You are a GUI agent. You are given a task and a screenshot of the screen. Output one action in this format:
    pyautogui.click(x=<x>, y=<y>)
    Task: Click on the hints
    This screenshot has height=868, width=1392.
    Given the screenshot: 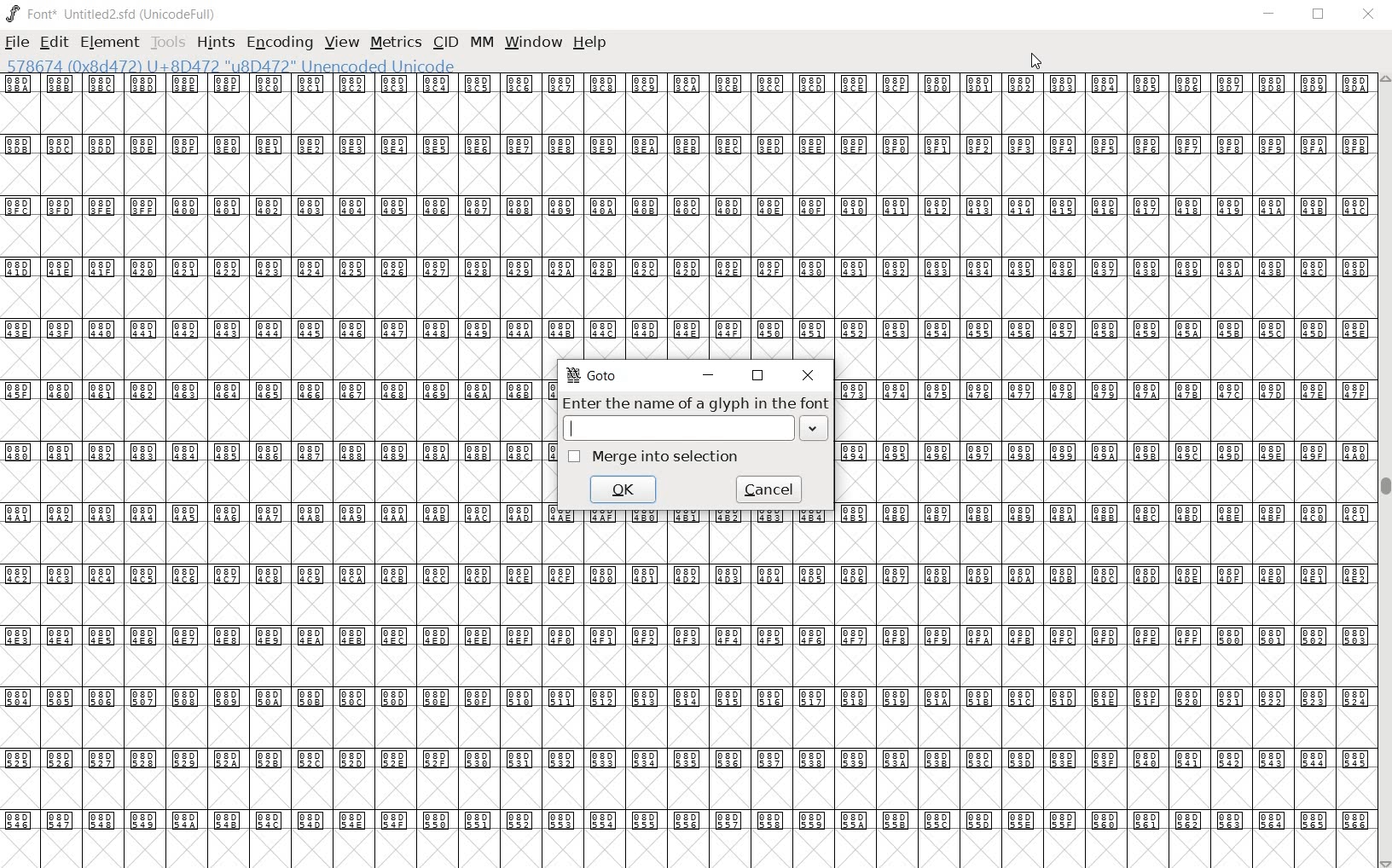 What is the action you would take?
    pyautogui.click(x=214, y=44)
    